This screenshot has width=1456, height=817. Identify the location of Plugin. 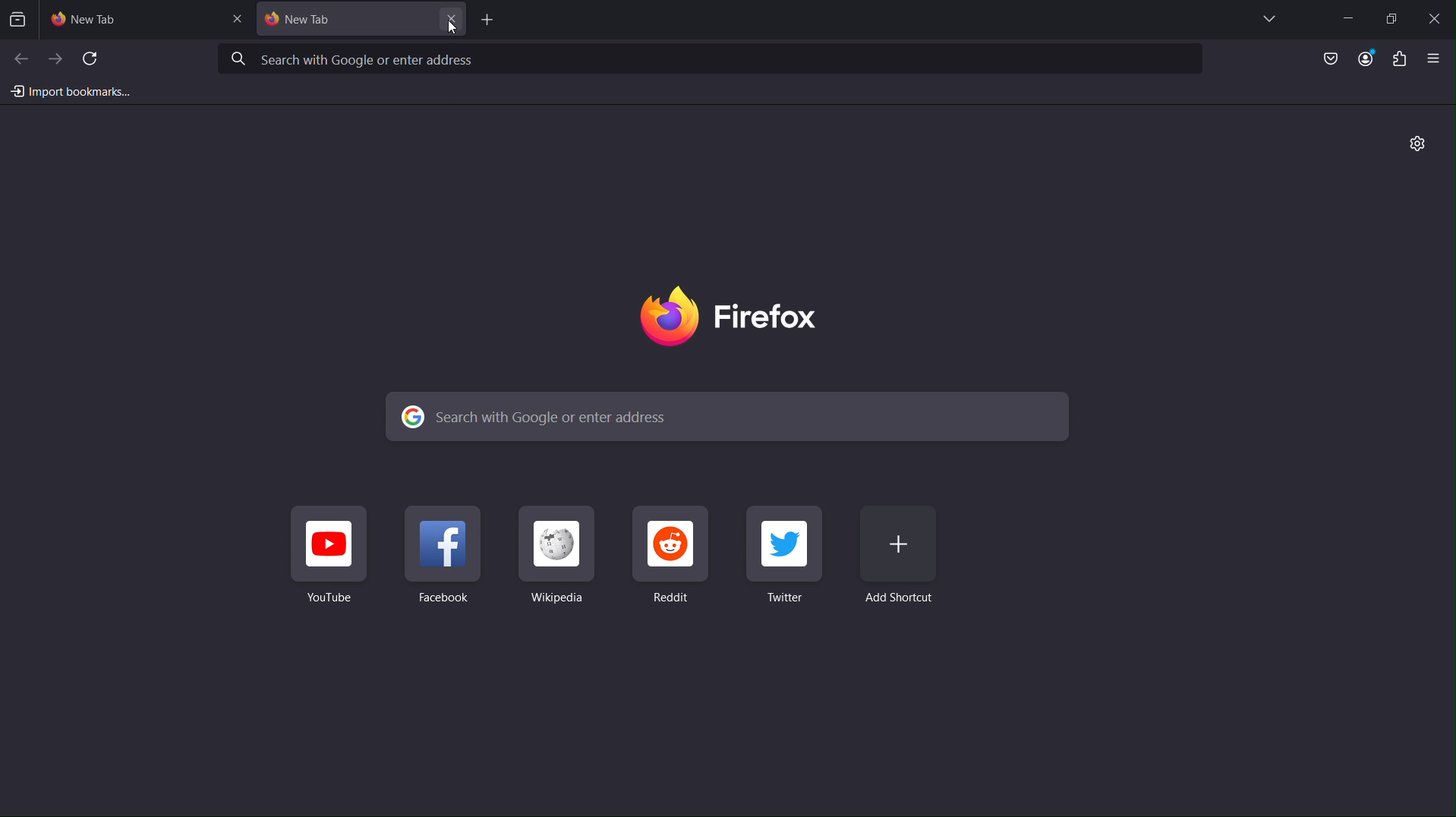
(1400, 58).